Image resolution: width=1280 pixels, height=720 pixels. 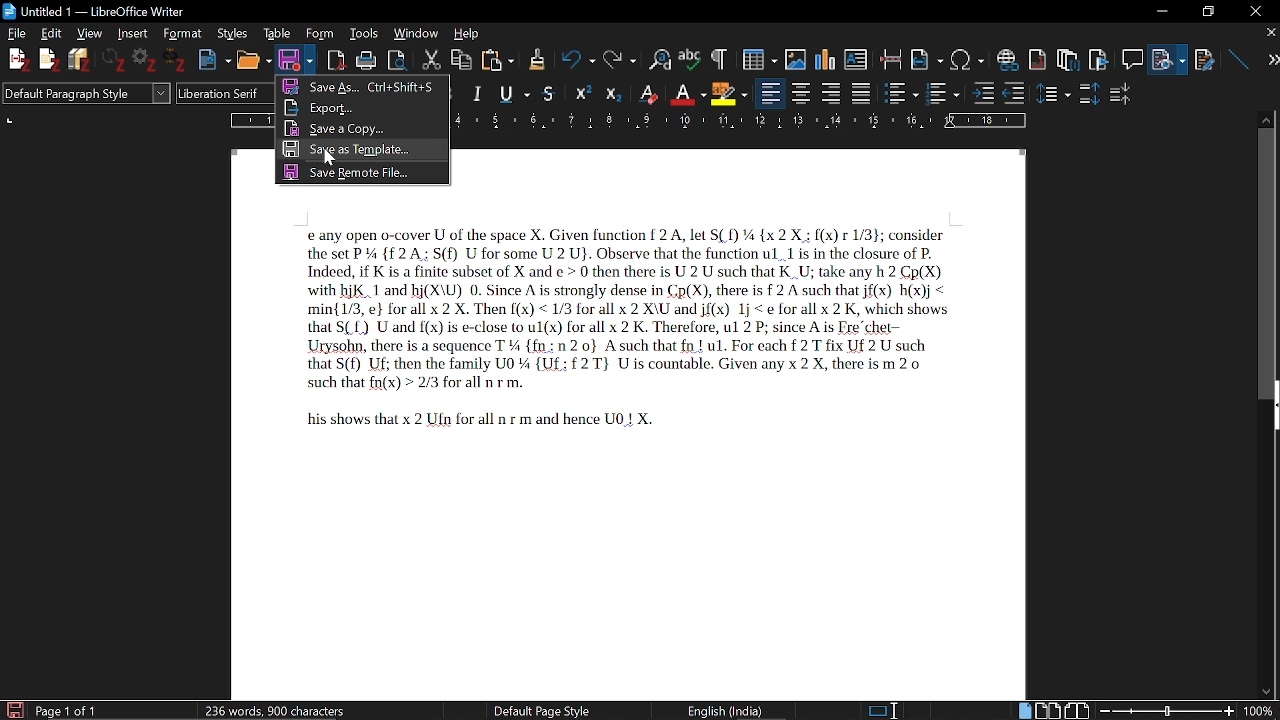 I want to click on Form, so click(x=319, y=33).